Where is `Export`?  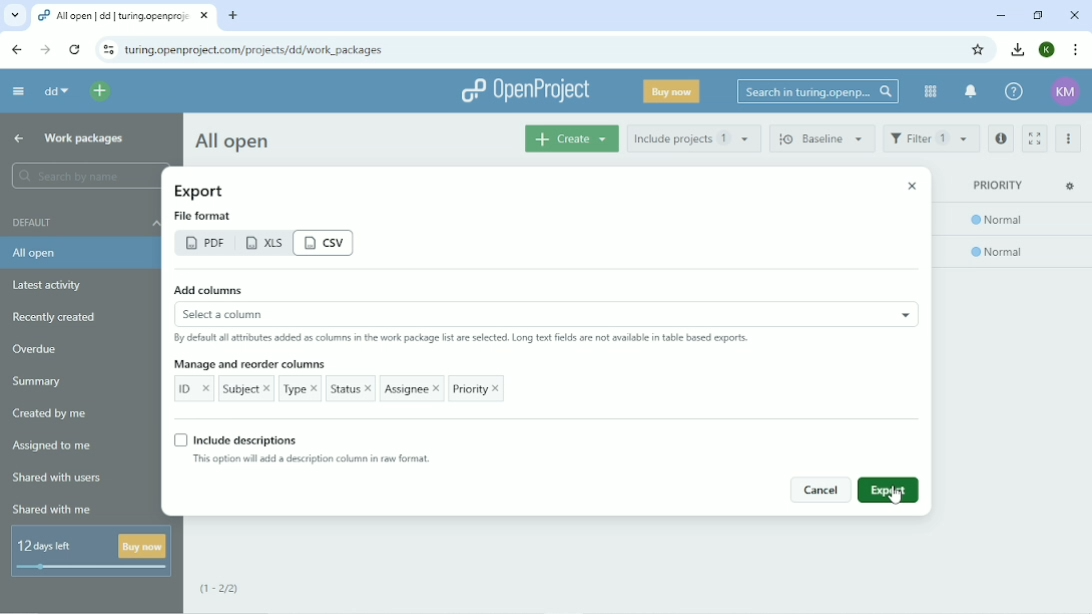
Export is located at coordinates (203, 191).